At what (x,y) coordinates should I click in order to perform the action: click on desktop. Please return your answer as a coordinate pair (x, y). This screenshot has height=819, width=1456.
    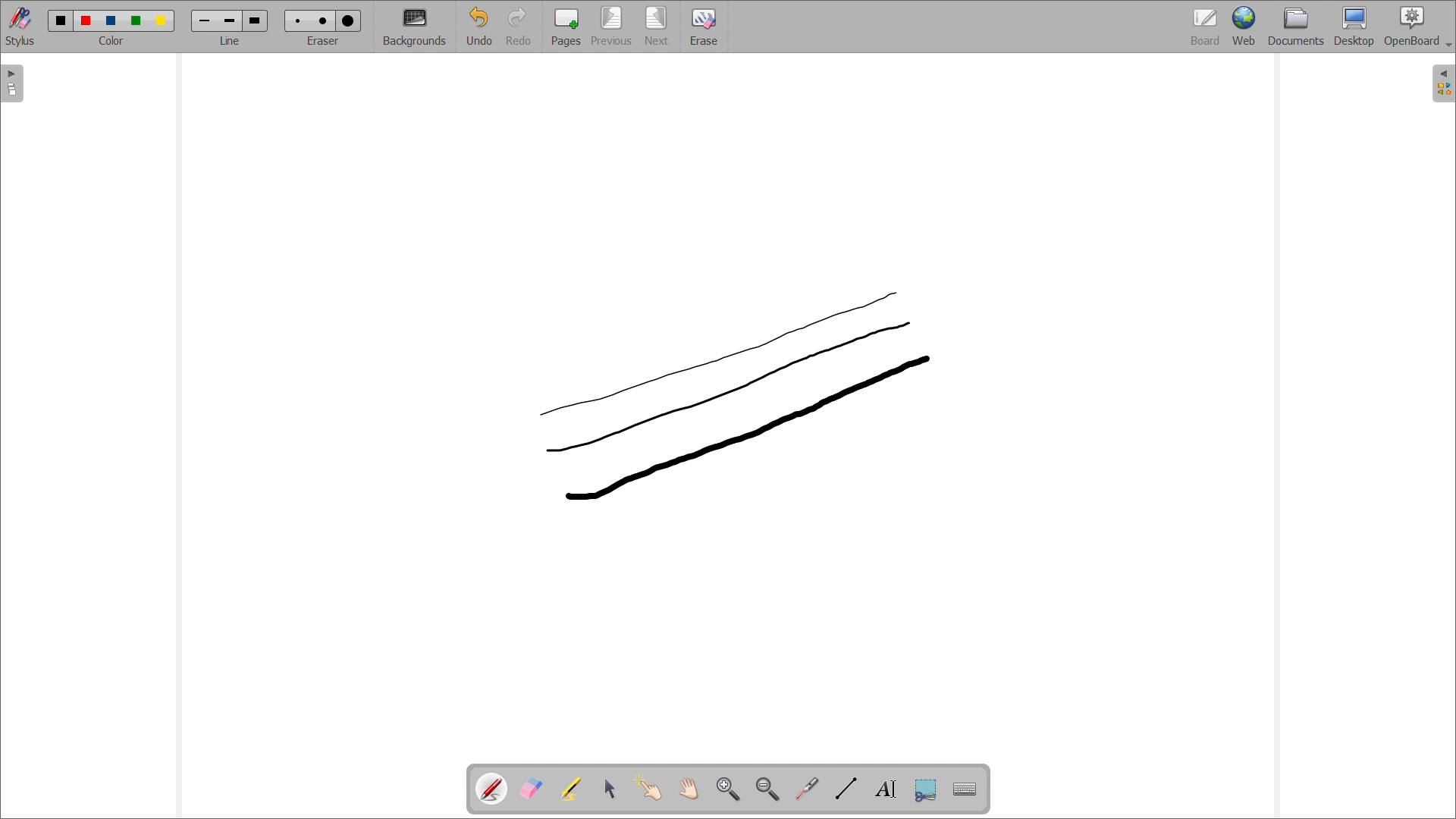
    Looking at the image, I should click on (1354, 27).